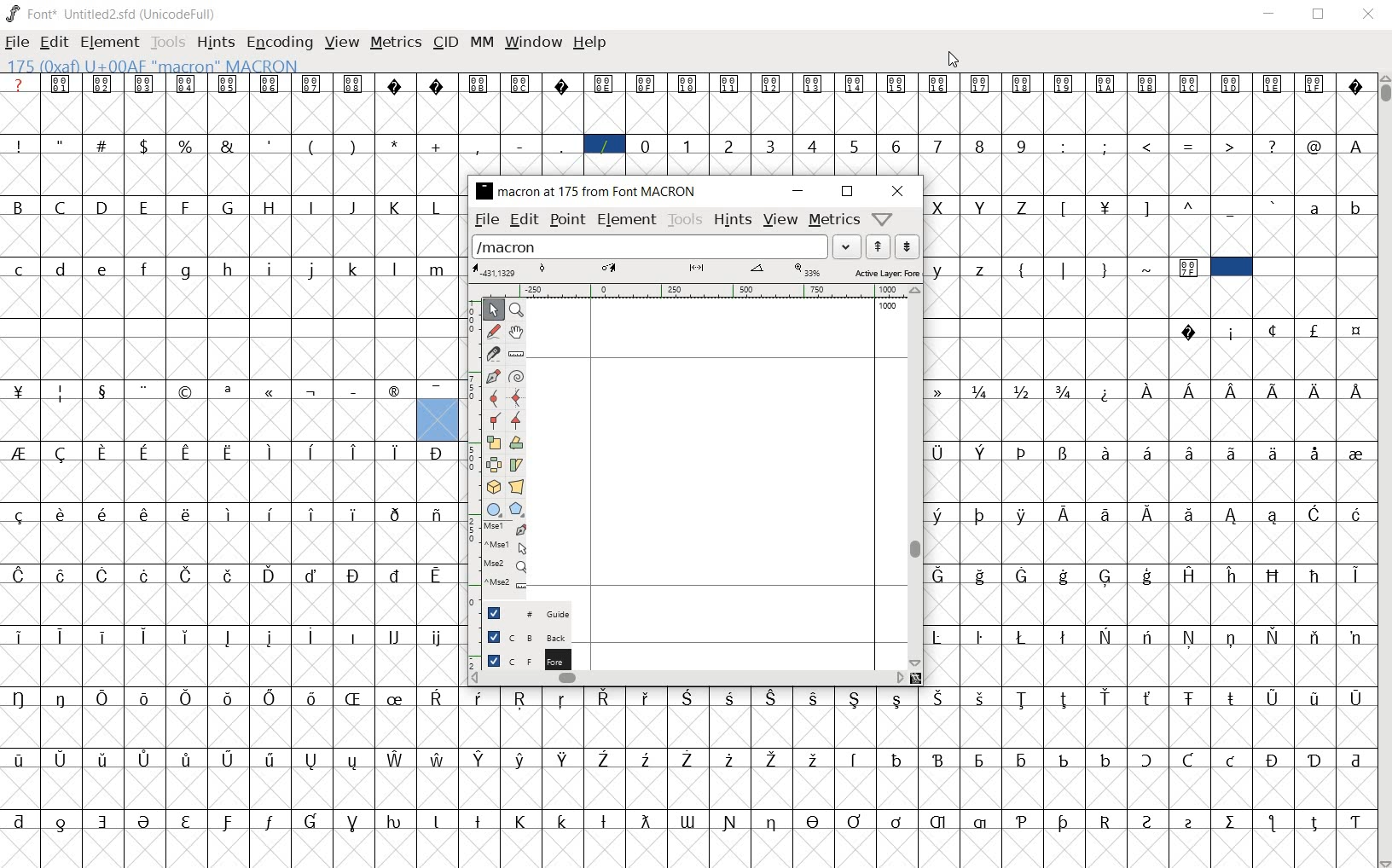  Describe the element at coordinates (692, 290) in the screenshot. I see `ruler` at that location.